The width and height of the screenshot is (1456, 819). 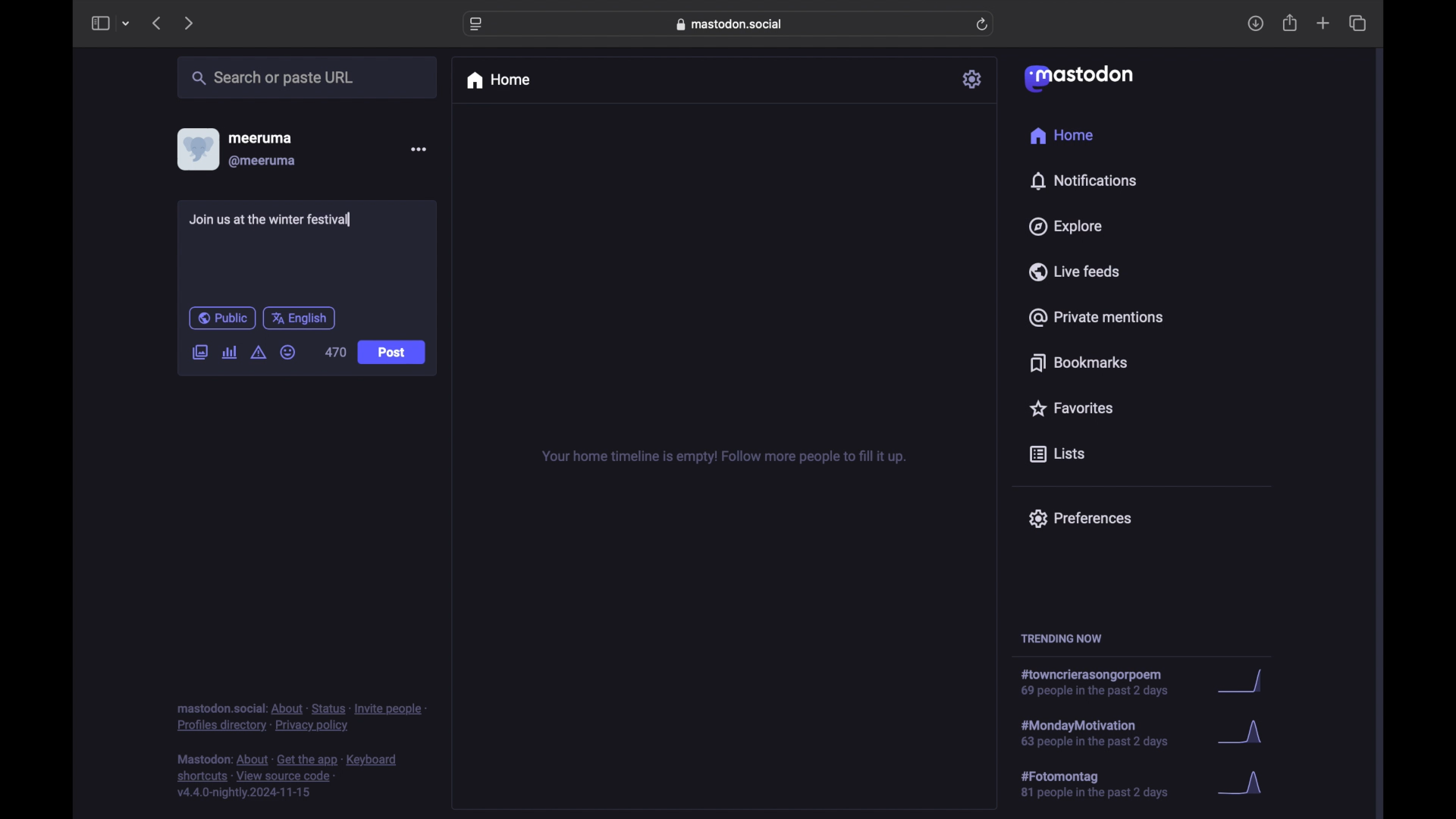 What do you see at coordinates (355, 221) in the screenshot?
I see `text cursor` at bounding box center [355, 221].